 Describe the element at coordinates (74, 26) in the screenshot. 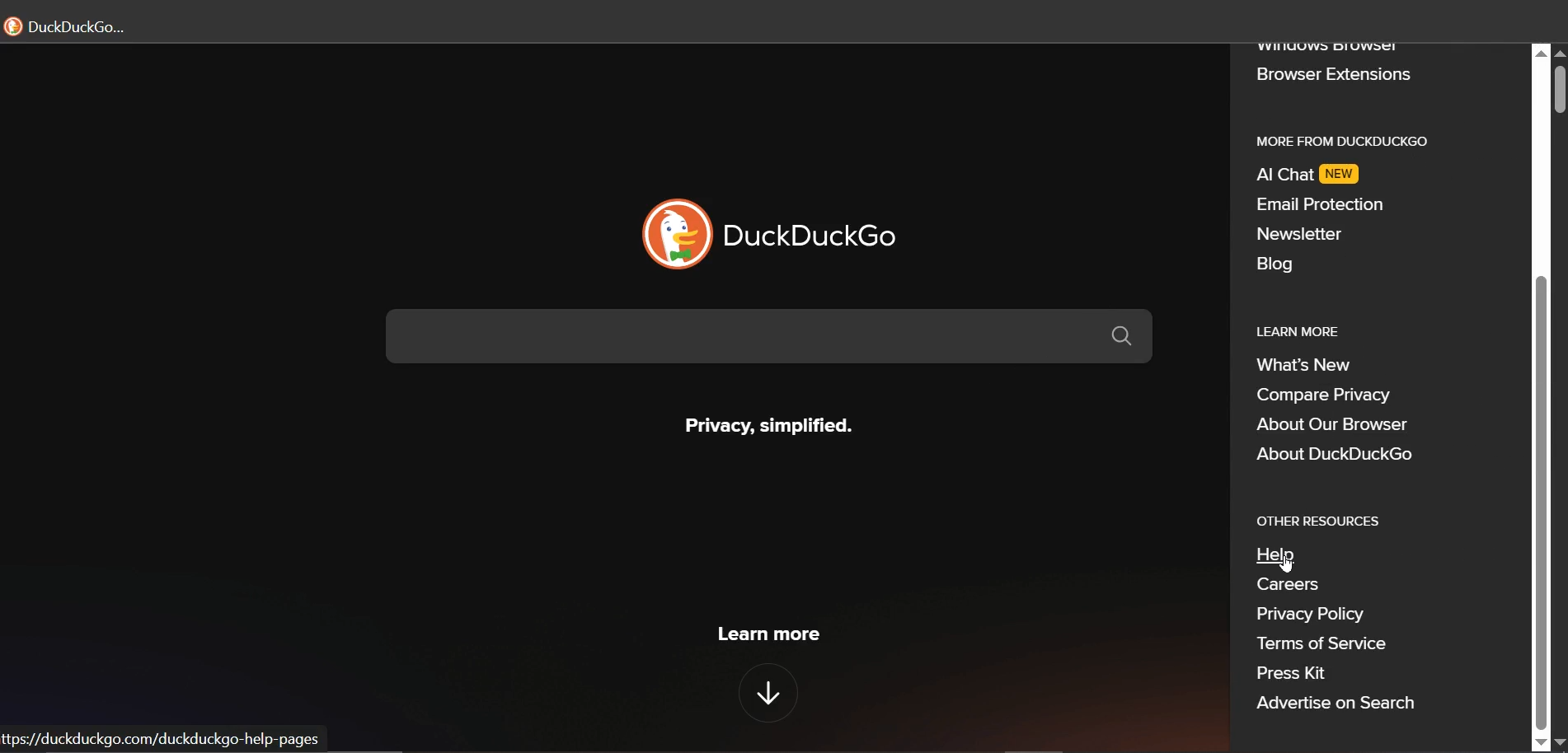

I see `duckduckgo` at that location.